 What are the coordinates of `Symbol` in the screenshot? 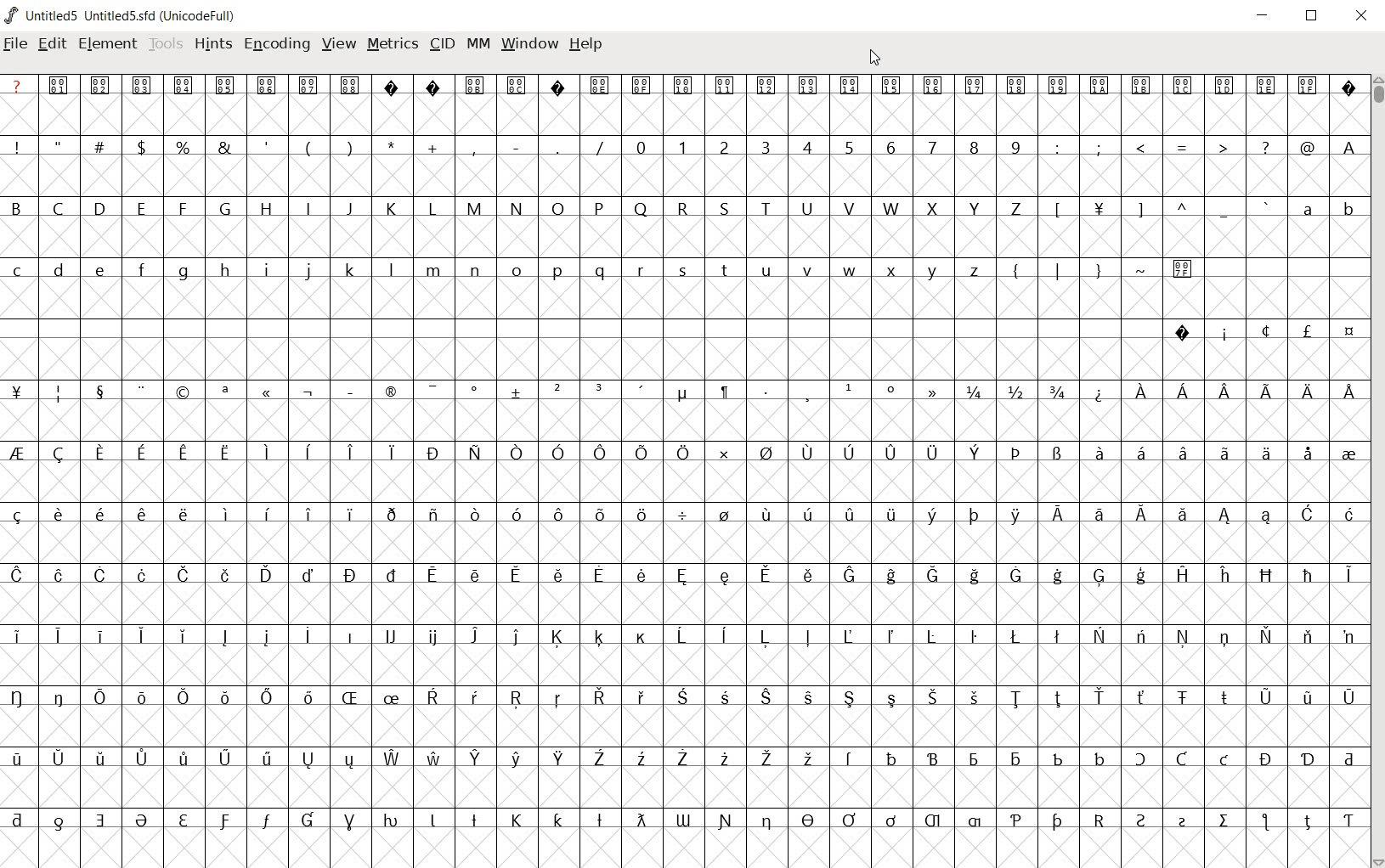 It's located at (1096, 454).